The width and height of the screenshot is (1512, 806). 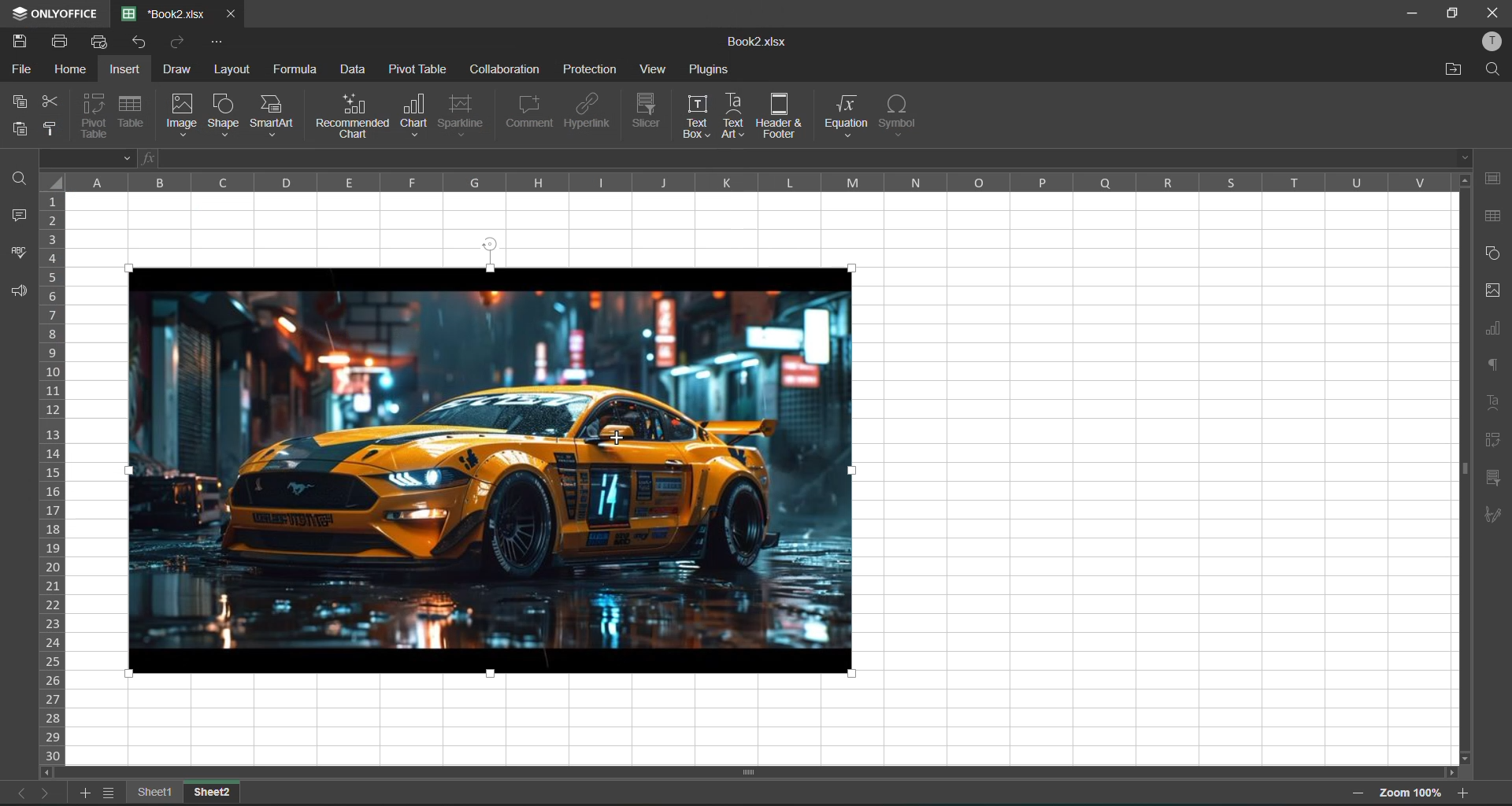 What do you see at coordinates (102, 40) in the screenshot?
I see `quick print` at bounding box center [102, 40].